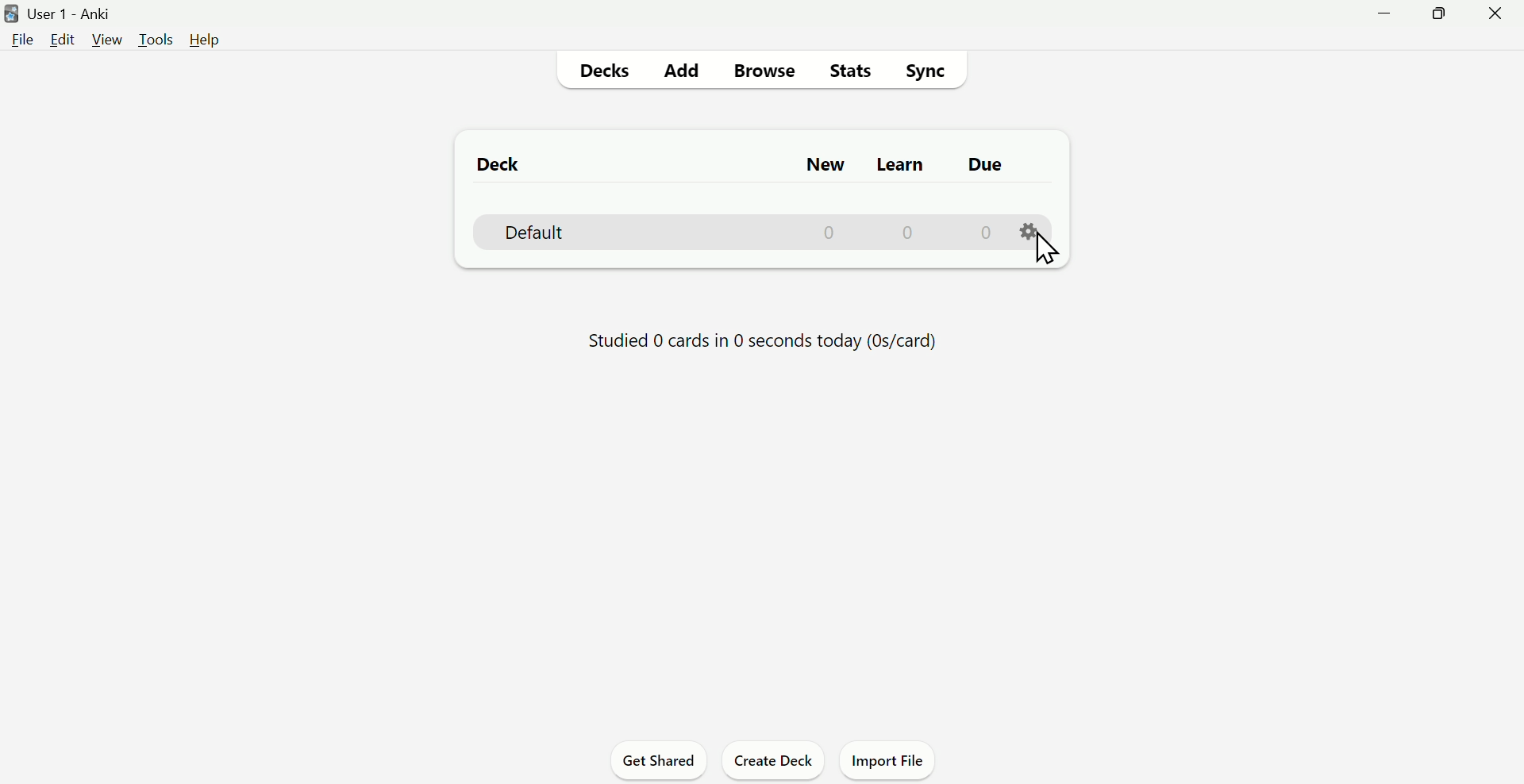 The height and width of the screenshot is (784, 1524). What do you see at coordinates (898, 764) in the screenshot?
I see `Import File` at bounding box center [898, 764].